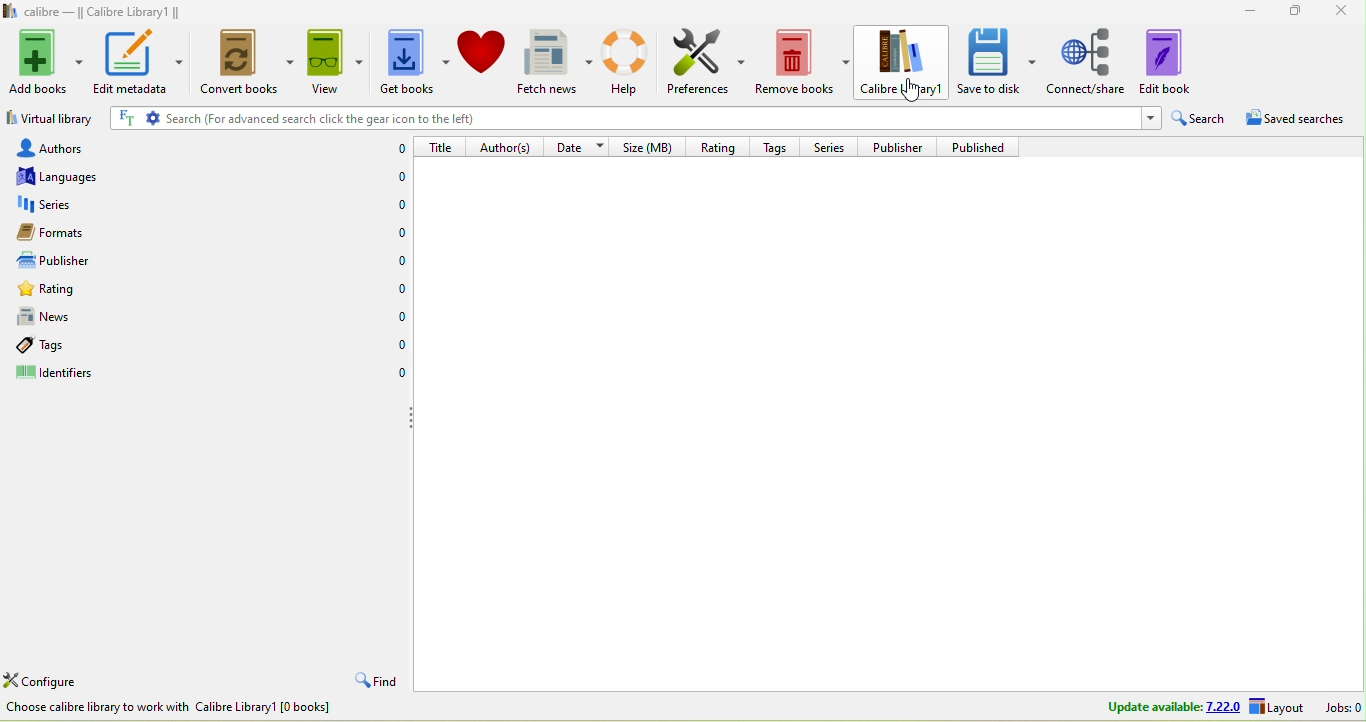 The width and height of the screenshot is (1366, 722). What do you see at coordinates (242, 64) in the screenshot?
I see `convert books` at bounding box center [242, 64].